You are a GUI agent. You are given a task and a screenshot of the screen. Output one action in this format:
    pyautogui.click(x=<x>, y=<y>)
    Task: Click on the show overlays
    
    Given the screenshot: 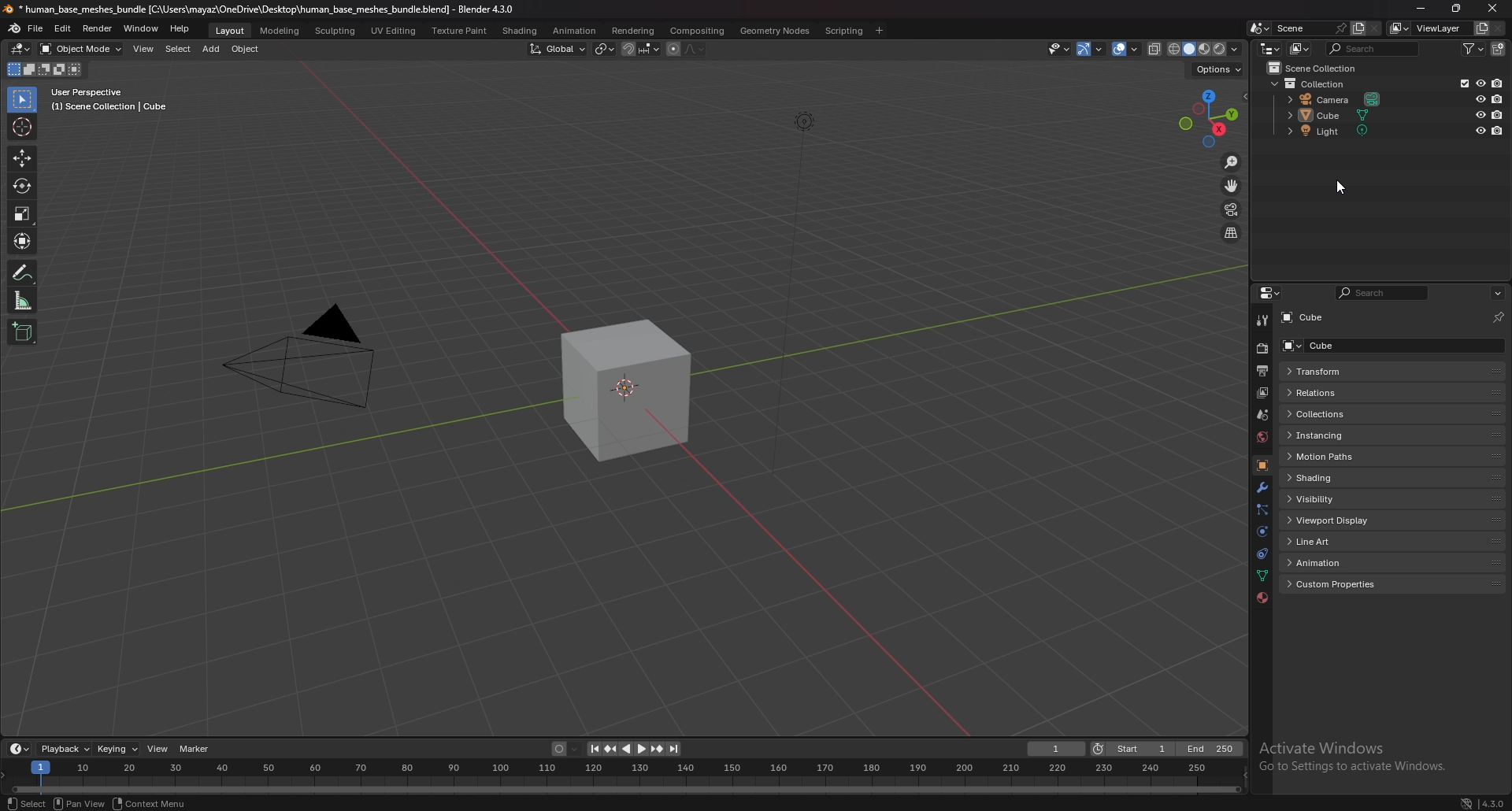 What is the action you would take?
    pyautogui.click(x=1127, y=48)
    